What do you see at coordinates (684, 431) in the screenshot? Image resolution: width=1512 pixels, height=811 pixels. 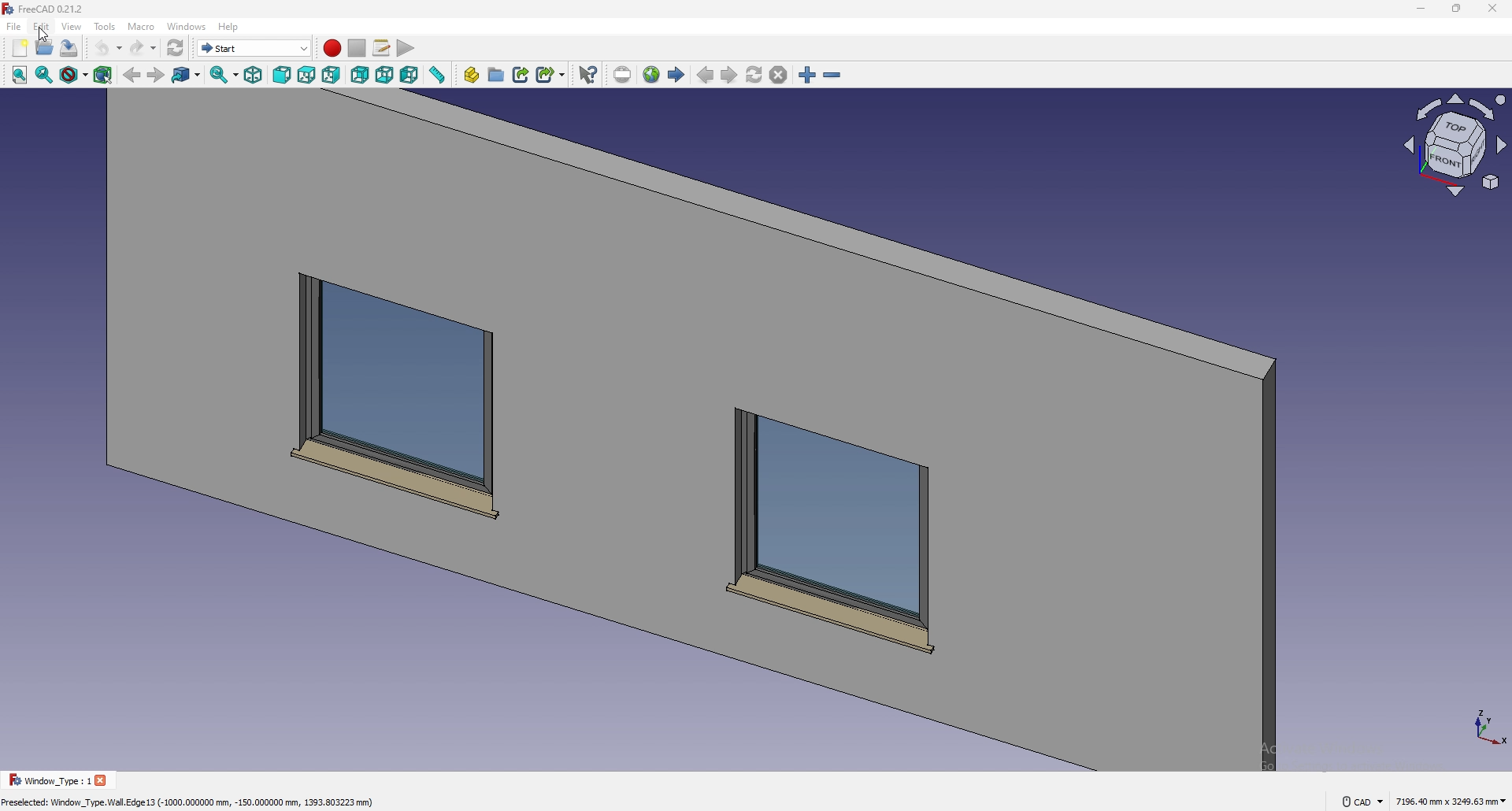 I see `workspace` at bounding box center [684, 431].